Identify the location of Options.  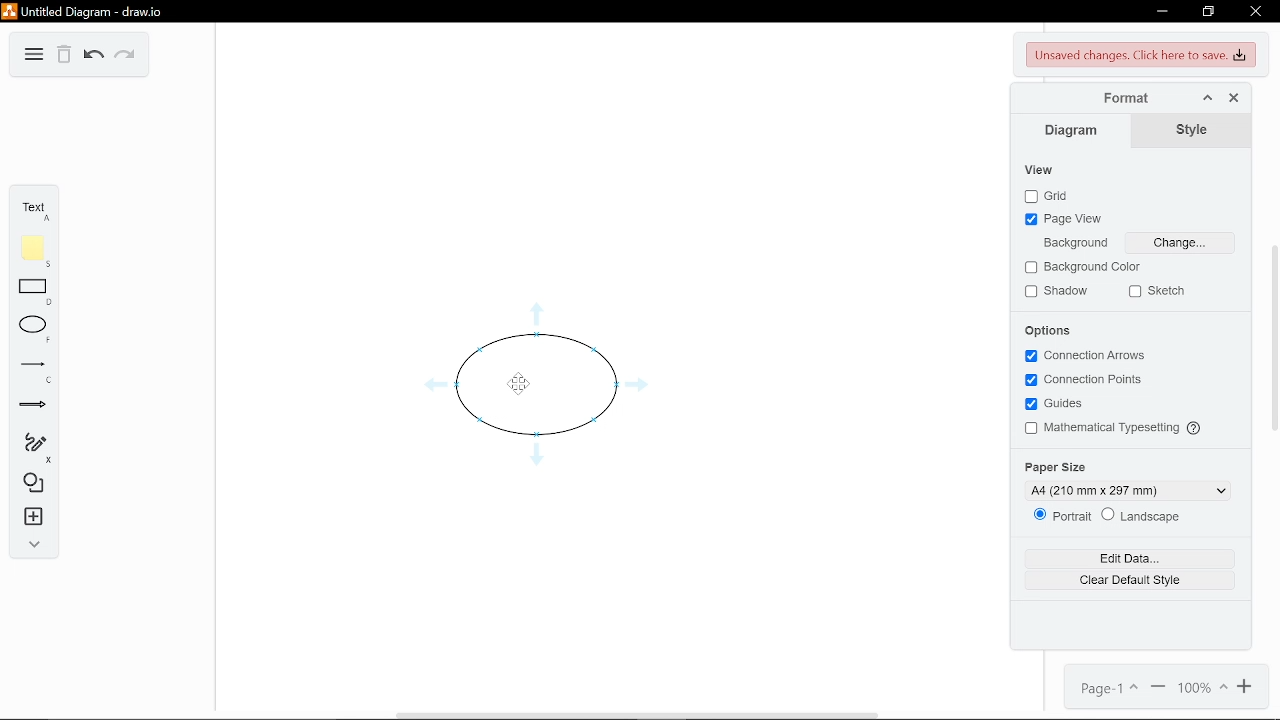
(1047, 329).